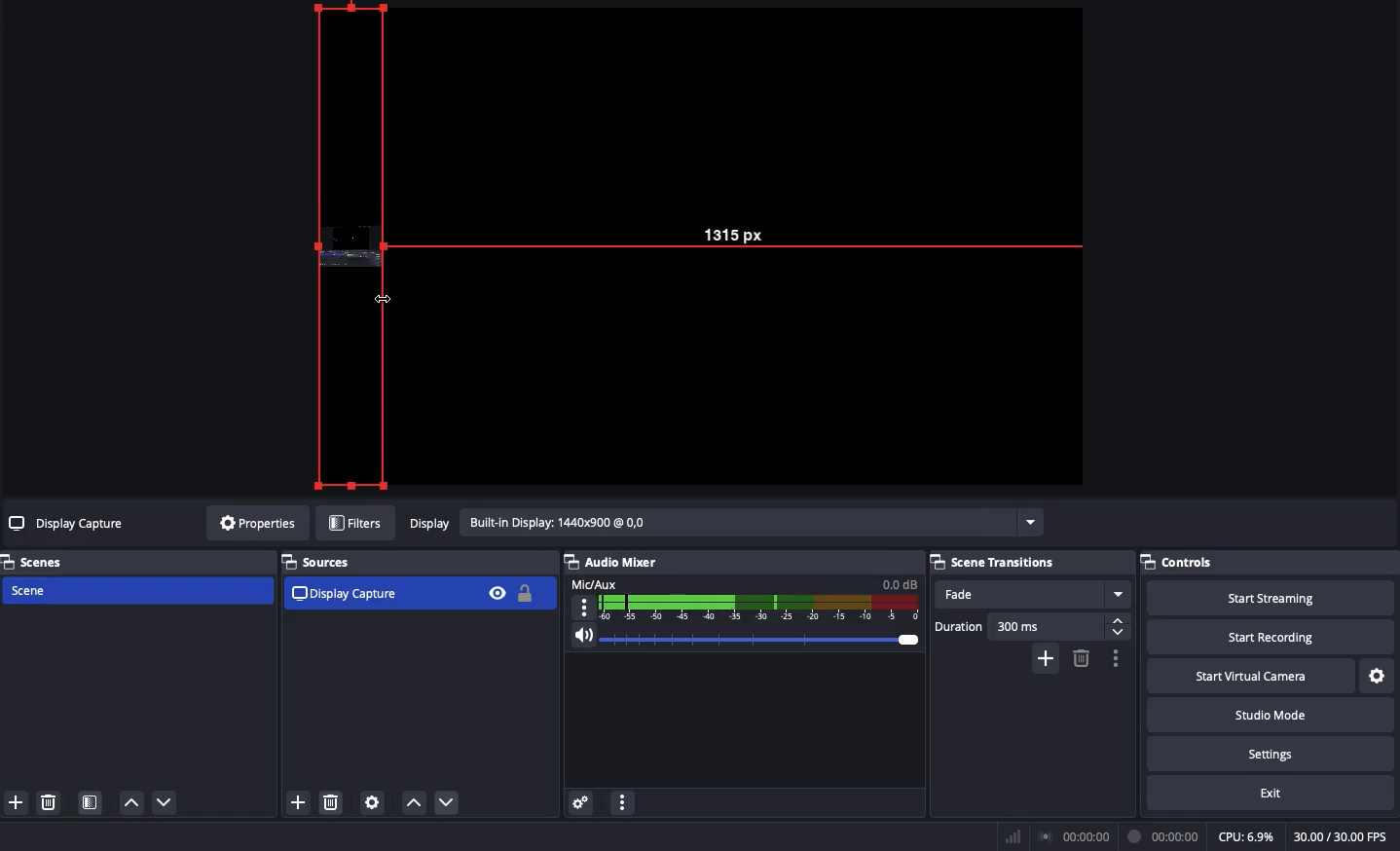  What do you see at coordinates (47, 802) in the screenshot?
I see `Delete` at bounding box center [47, 802].